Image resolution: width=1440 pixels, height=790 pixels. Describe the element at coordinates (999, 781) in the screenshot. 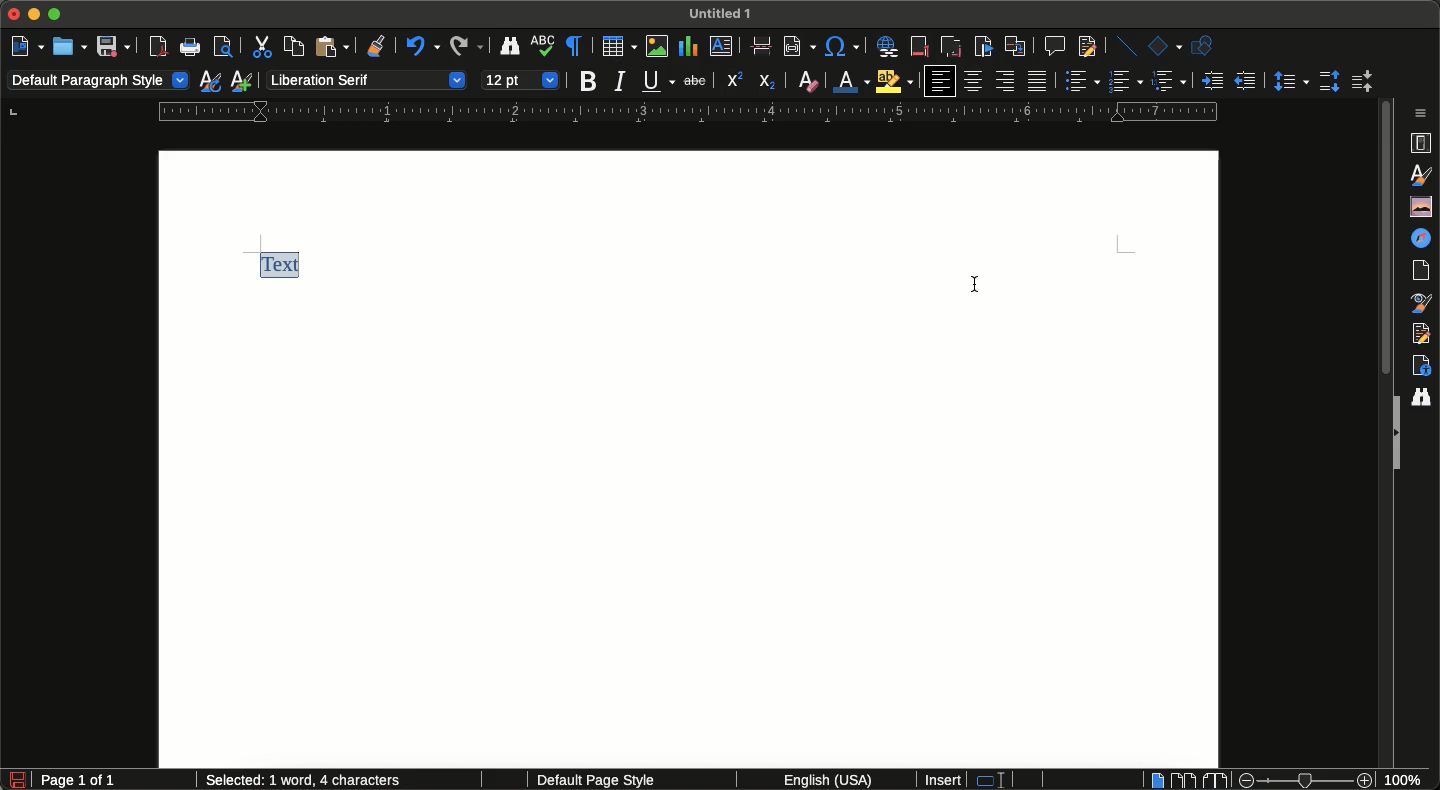

I see `Standard selection` at that location.